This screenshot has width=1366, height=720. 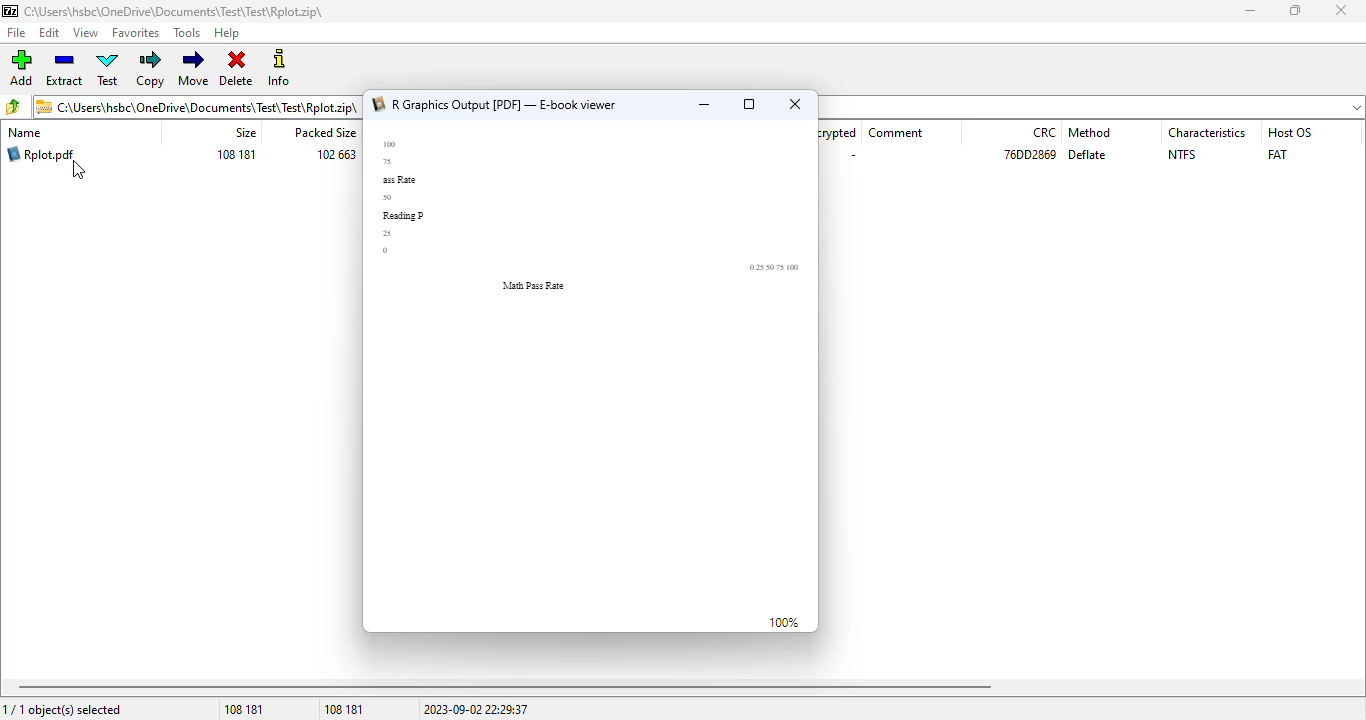 I want to click on view, so click(x=85, y=32).